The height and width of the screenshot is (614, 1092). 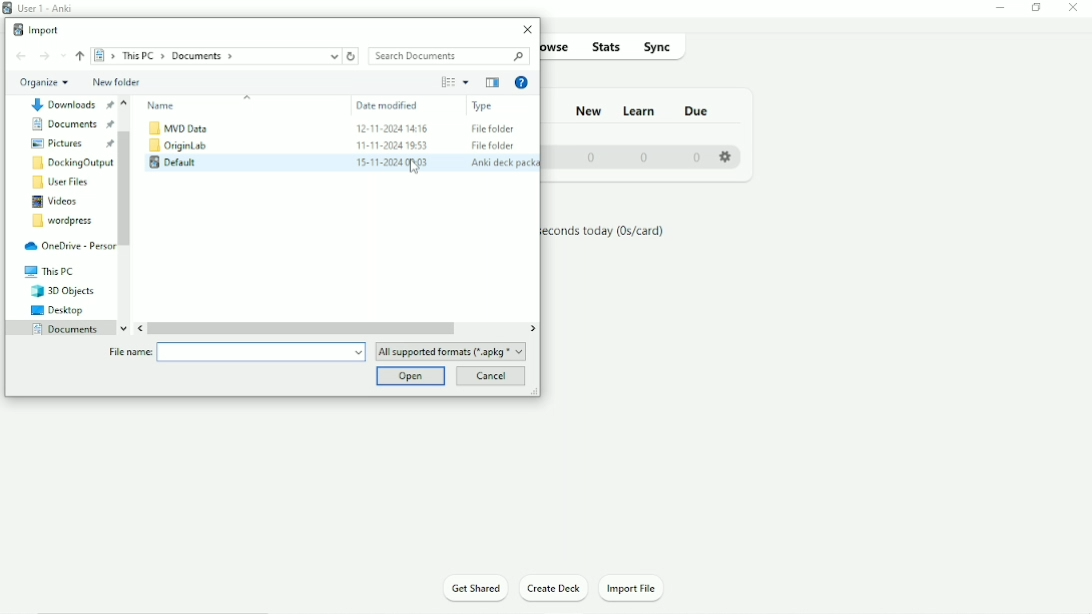 I want to click on Show the previous pane, so click(x=492, y=83).